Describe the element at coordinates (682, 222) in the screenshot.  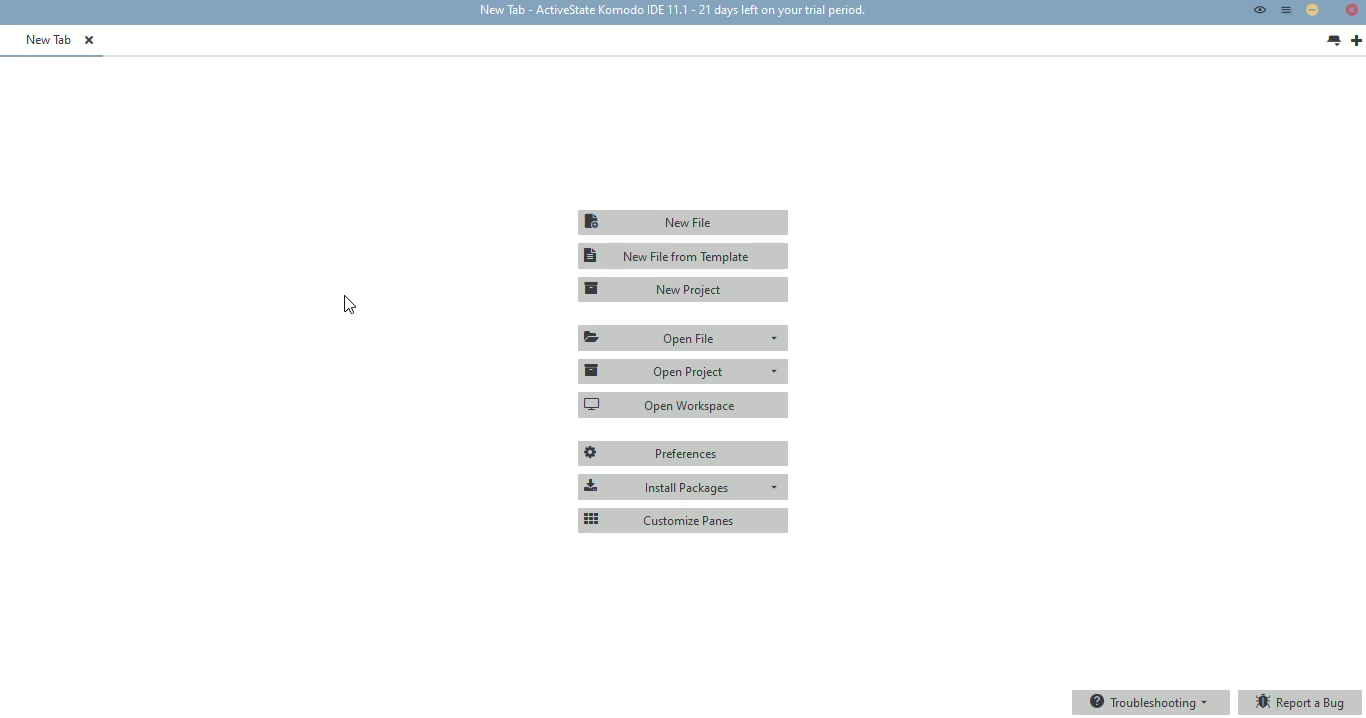
I see `new file` at that location.